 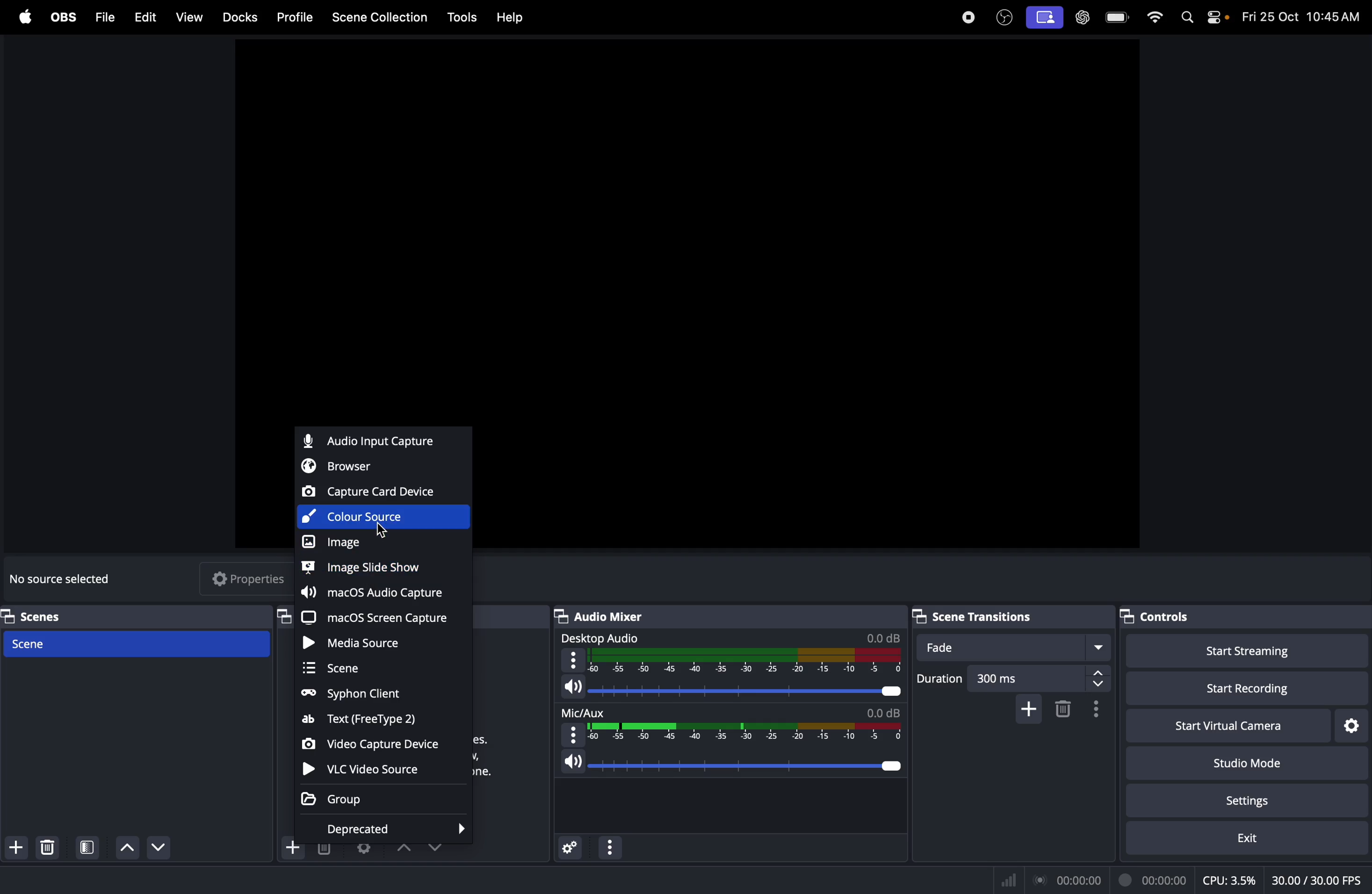 I want to click on advance audio properties, so click(x=571, y=848).